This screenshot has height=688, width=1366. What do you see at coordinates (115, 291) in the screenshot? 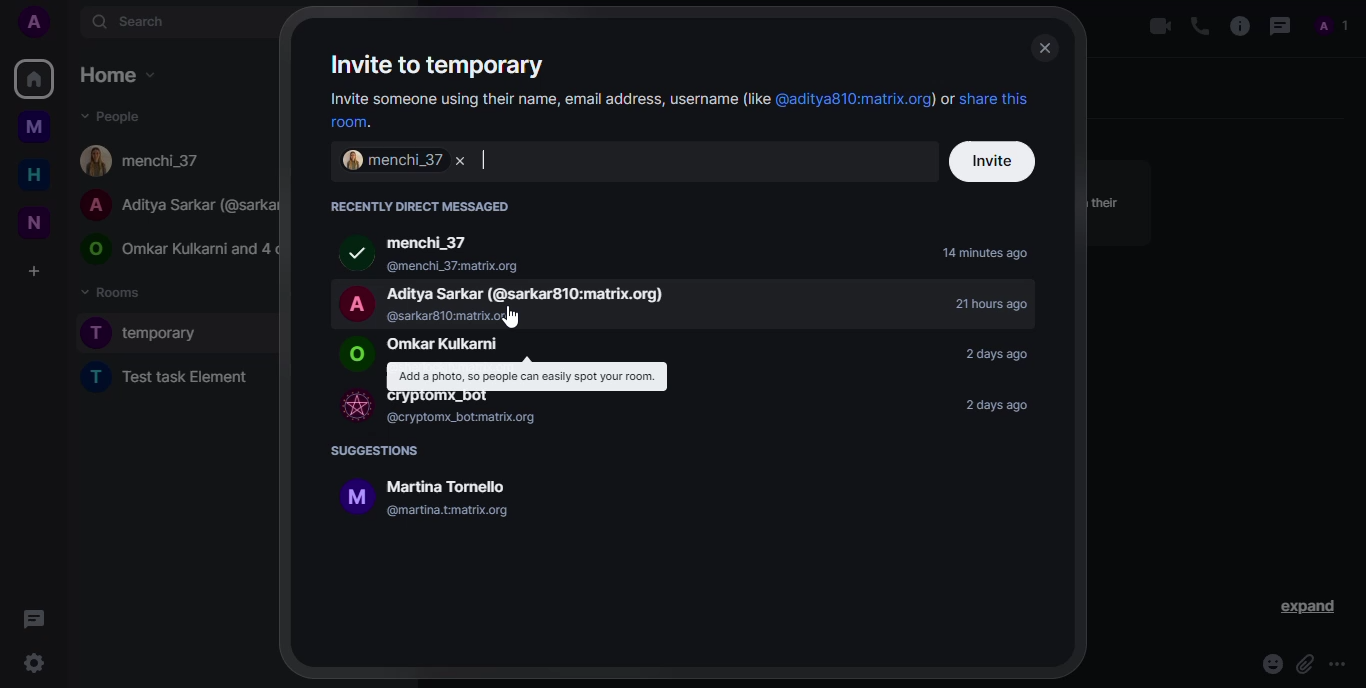
I see `rooms` at bounding box center [115, 291].